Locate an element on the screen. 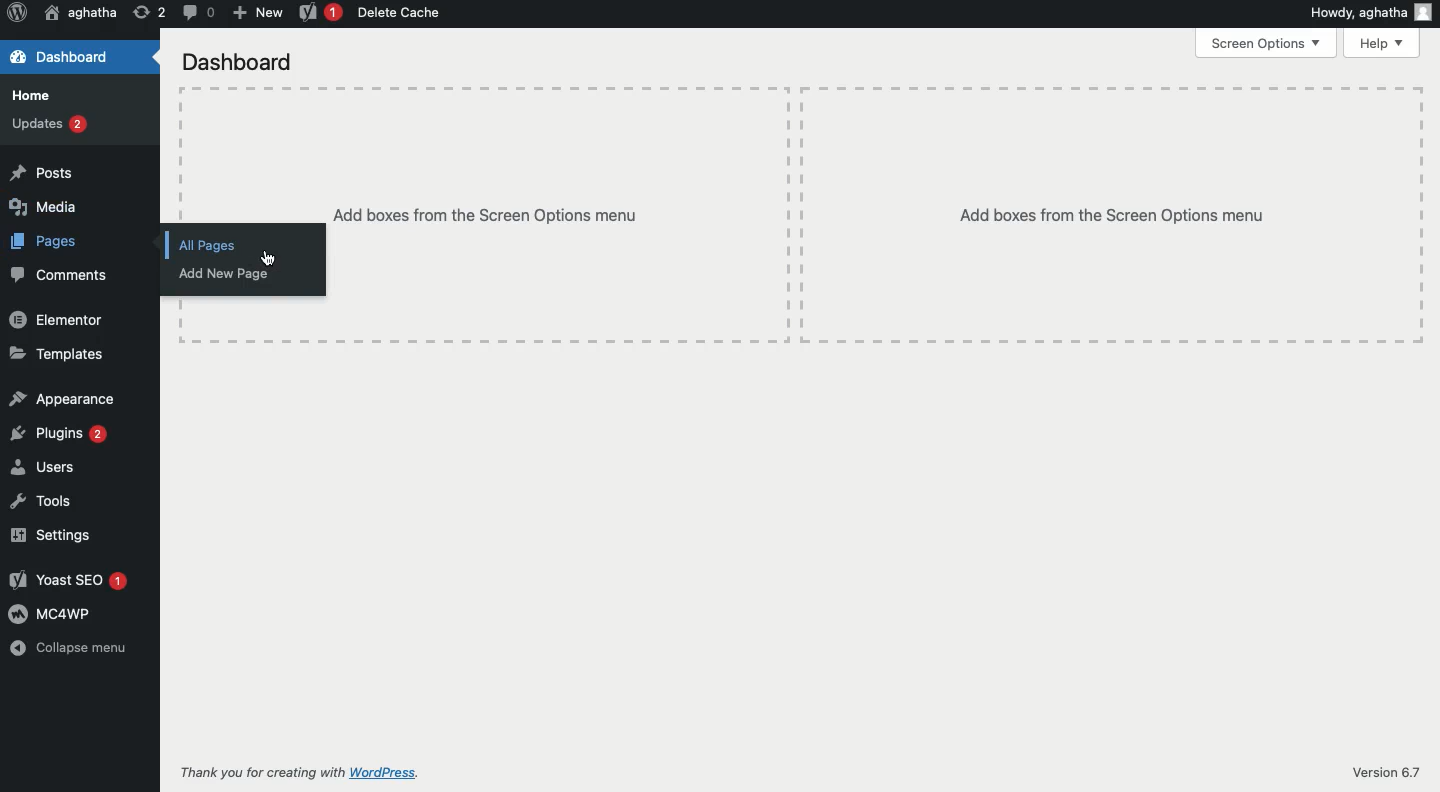 This screenshot has height=792, width=1440. User is located at coordinates (80, 13).